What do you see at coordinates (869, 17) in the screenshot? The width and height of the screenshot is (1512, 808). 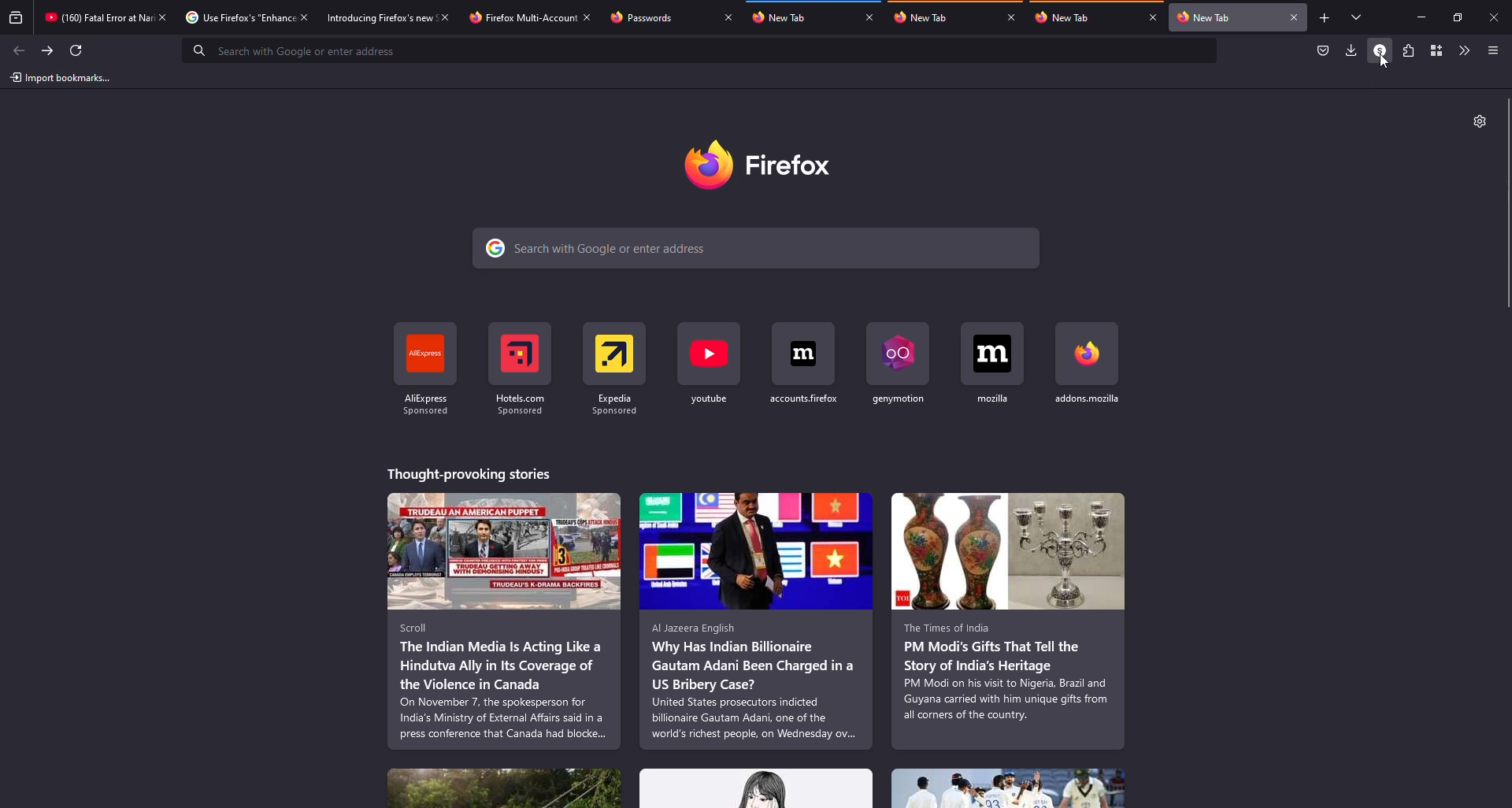 I see `close` at bounding box center [869, 17].